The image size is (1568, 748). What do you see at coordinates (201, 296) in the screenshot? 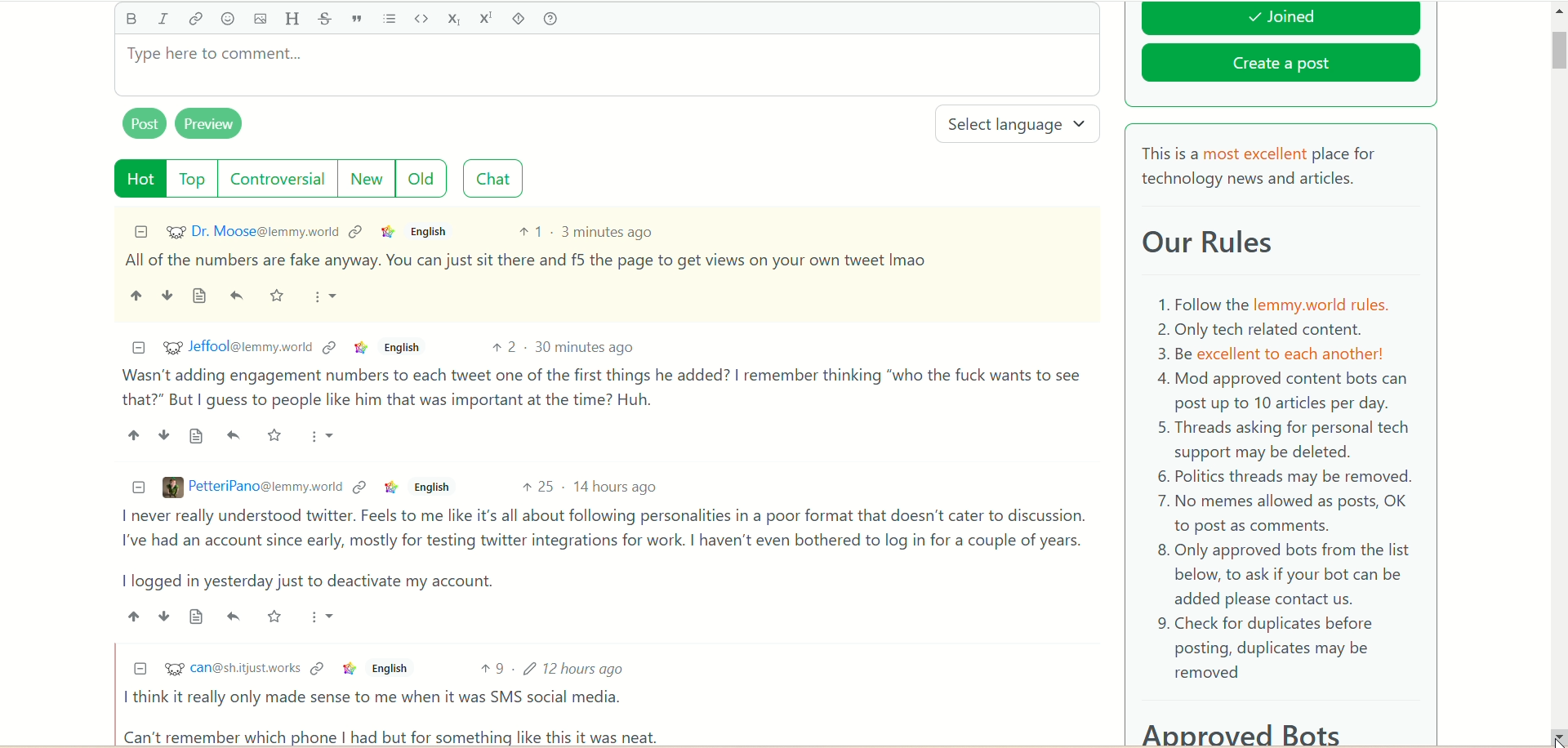
I see `Source` at bounding box center [201, 296].